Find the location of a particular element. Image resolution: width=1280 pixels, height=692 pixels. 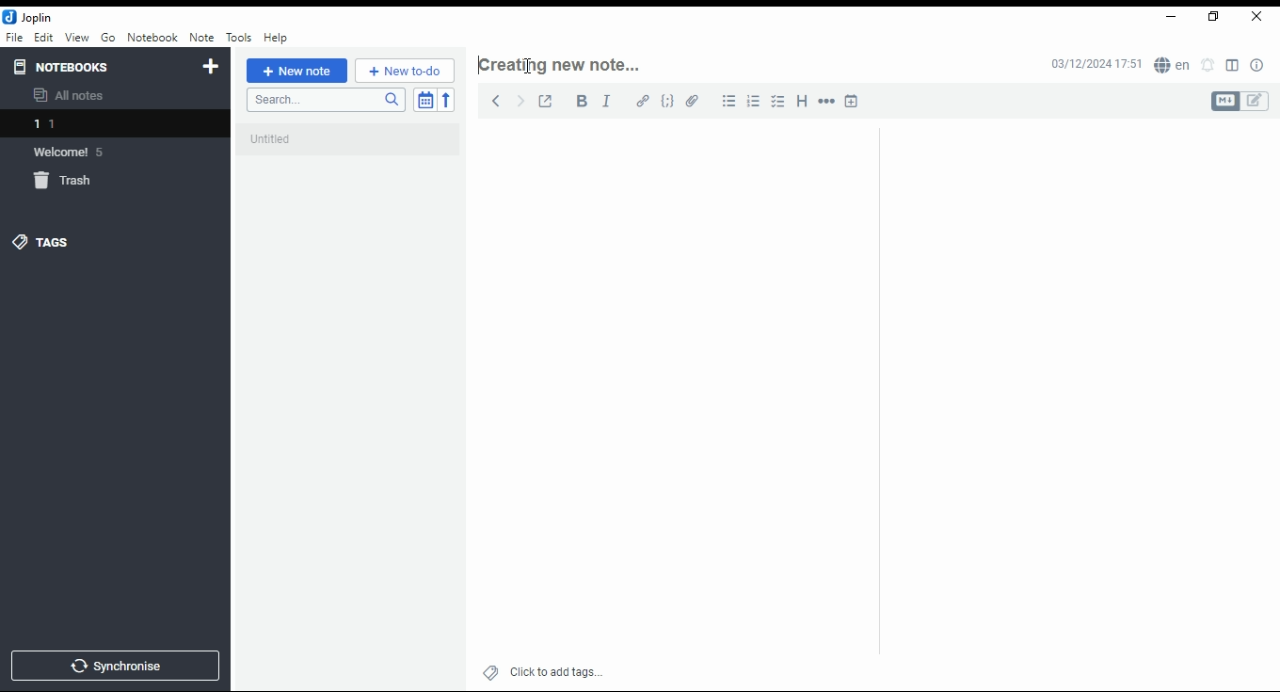

creating new note is located at coordinates (569, 63).